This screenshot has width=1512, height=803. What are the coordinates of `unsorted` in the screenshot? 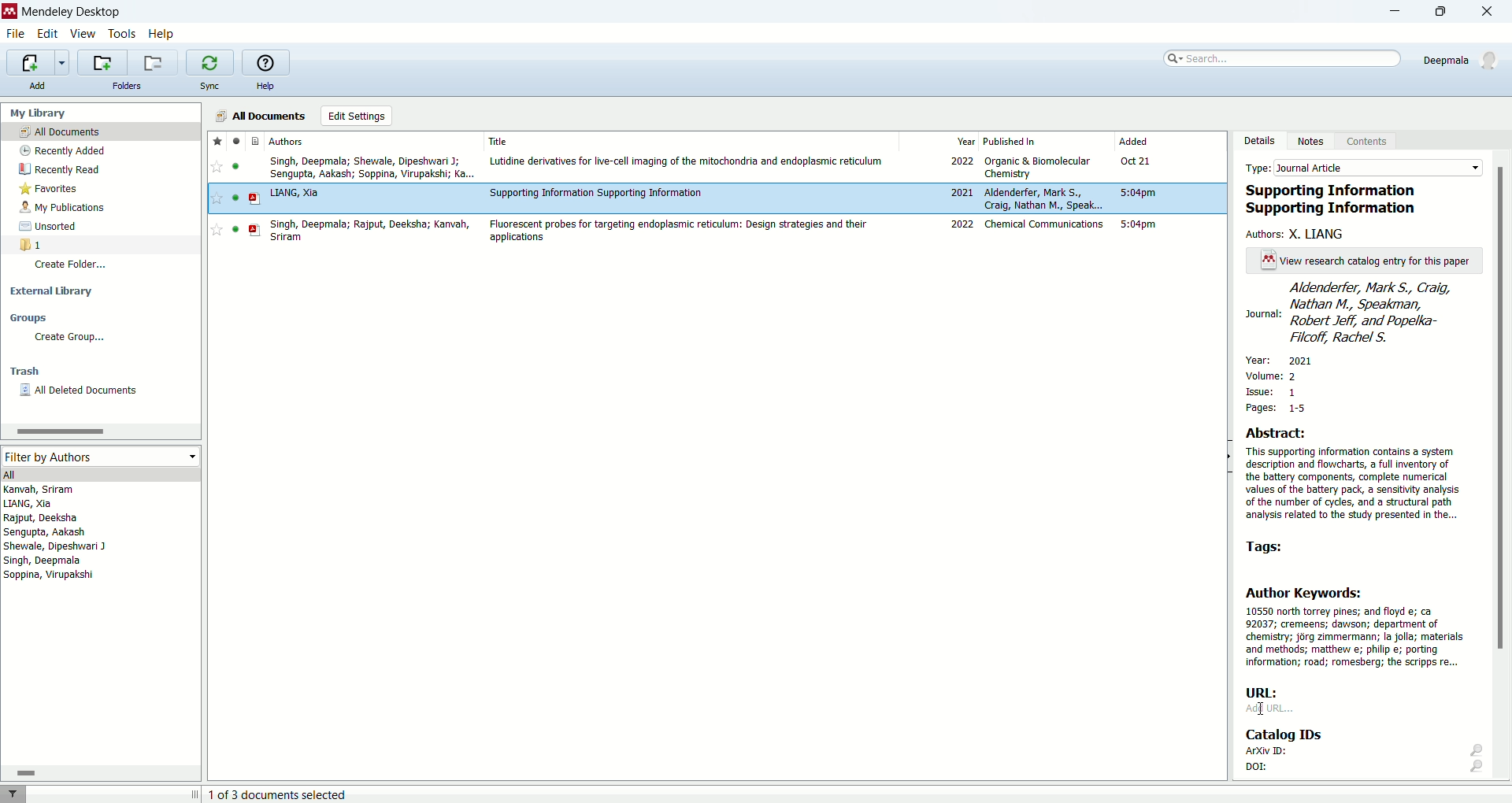 It's located at (52, 227).